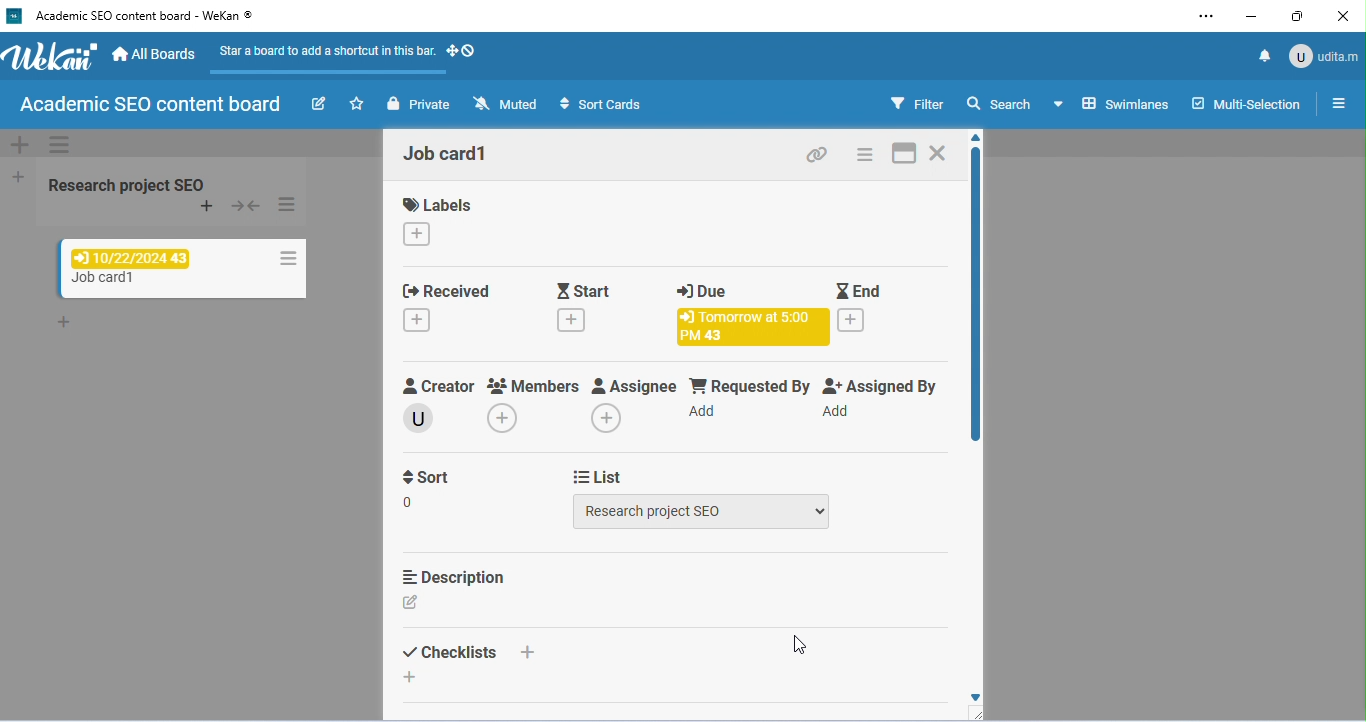 The image size is (1366, 722). What do you see at coordinates (581, 290) in the screenshot?
I see `start` at bounding box center [581, 290].